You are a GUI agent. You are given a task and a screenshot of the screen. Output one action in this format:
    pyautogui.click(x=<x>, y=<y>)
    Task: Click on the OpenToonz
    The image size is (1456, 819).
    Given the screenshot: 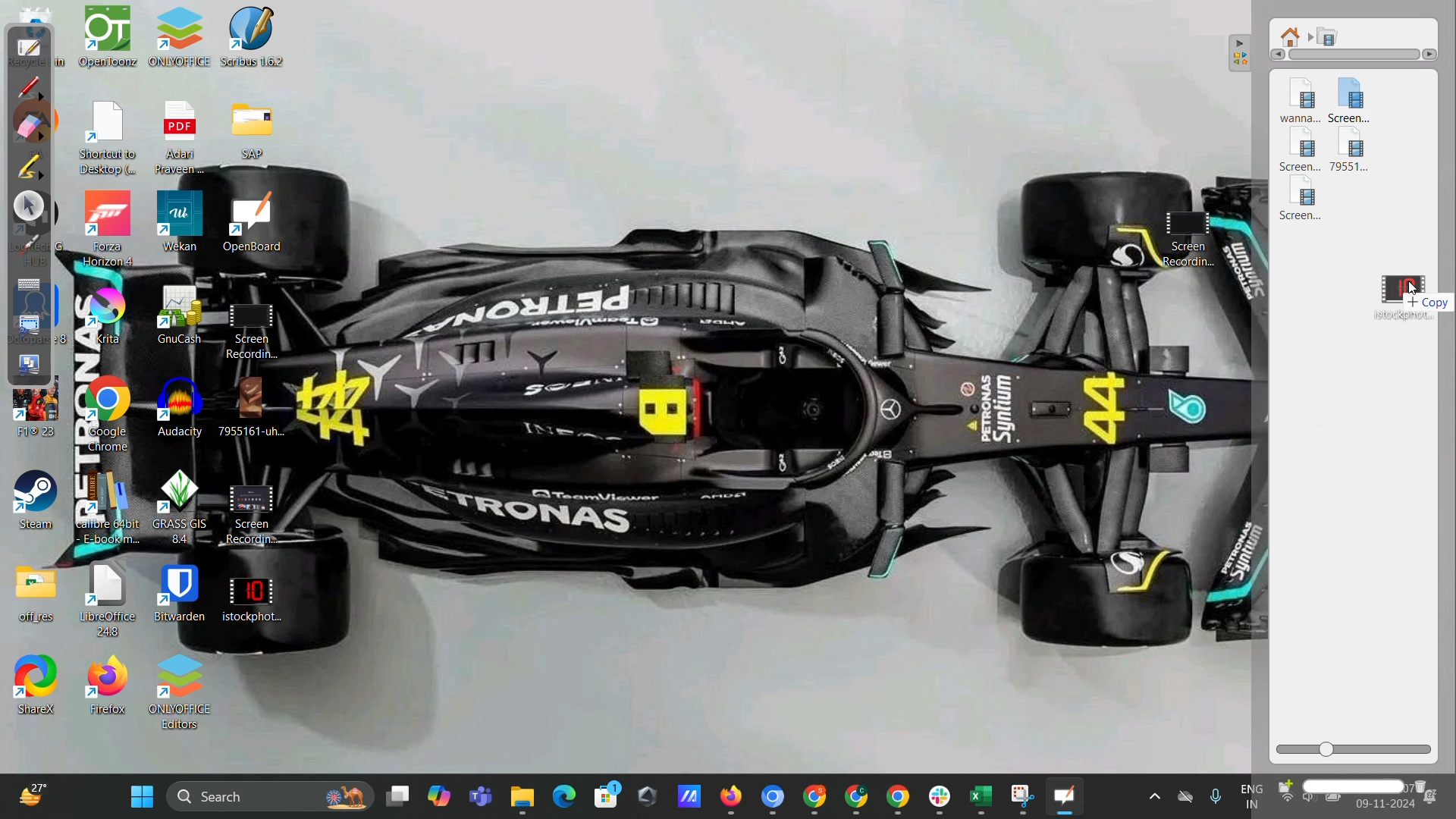 What is the action you would take?
    pyautogui.click(x=108, y=40)
    